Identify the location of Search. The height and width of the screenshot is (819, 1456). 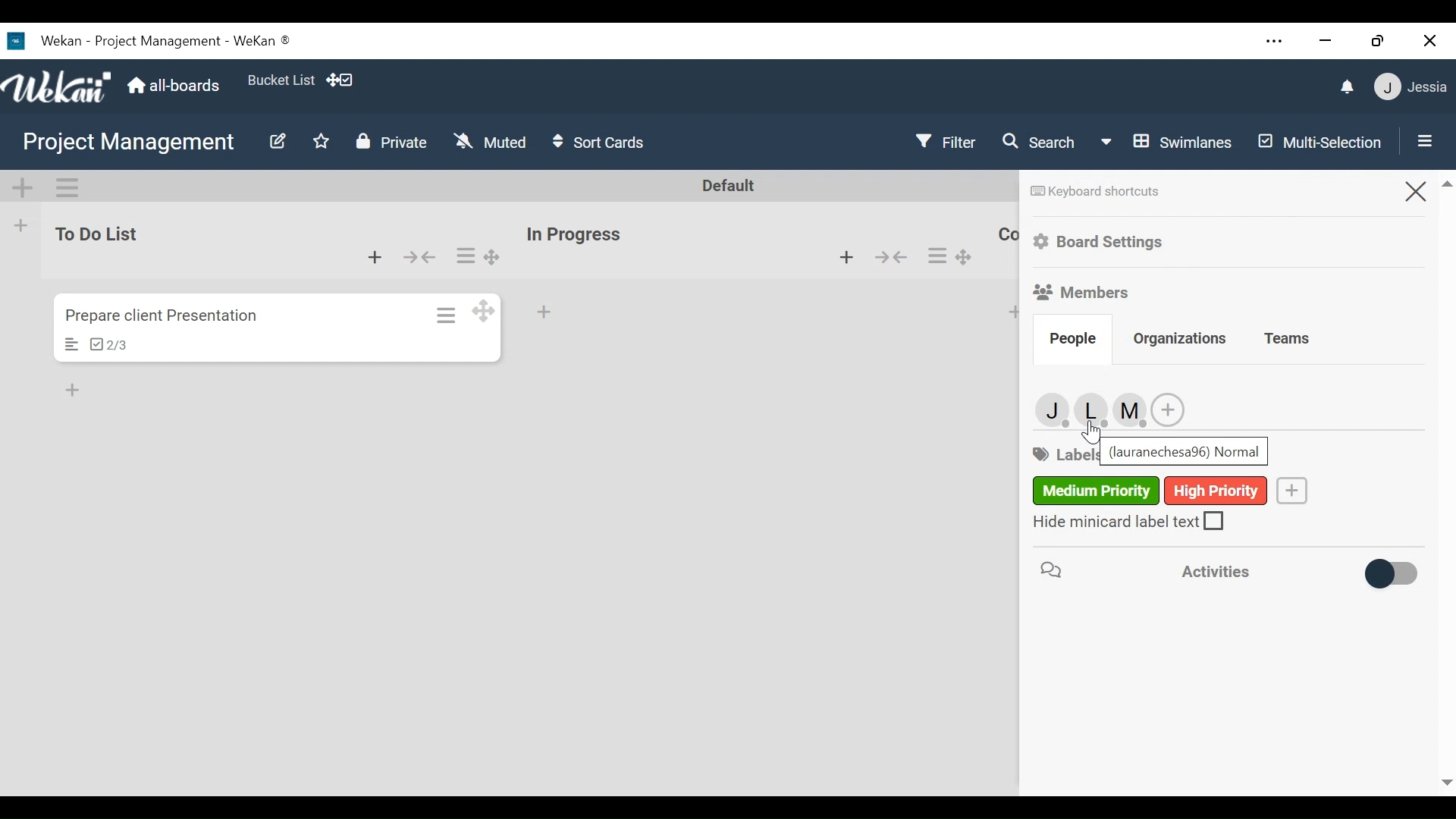
(1040, 144).